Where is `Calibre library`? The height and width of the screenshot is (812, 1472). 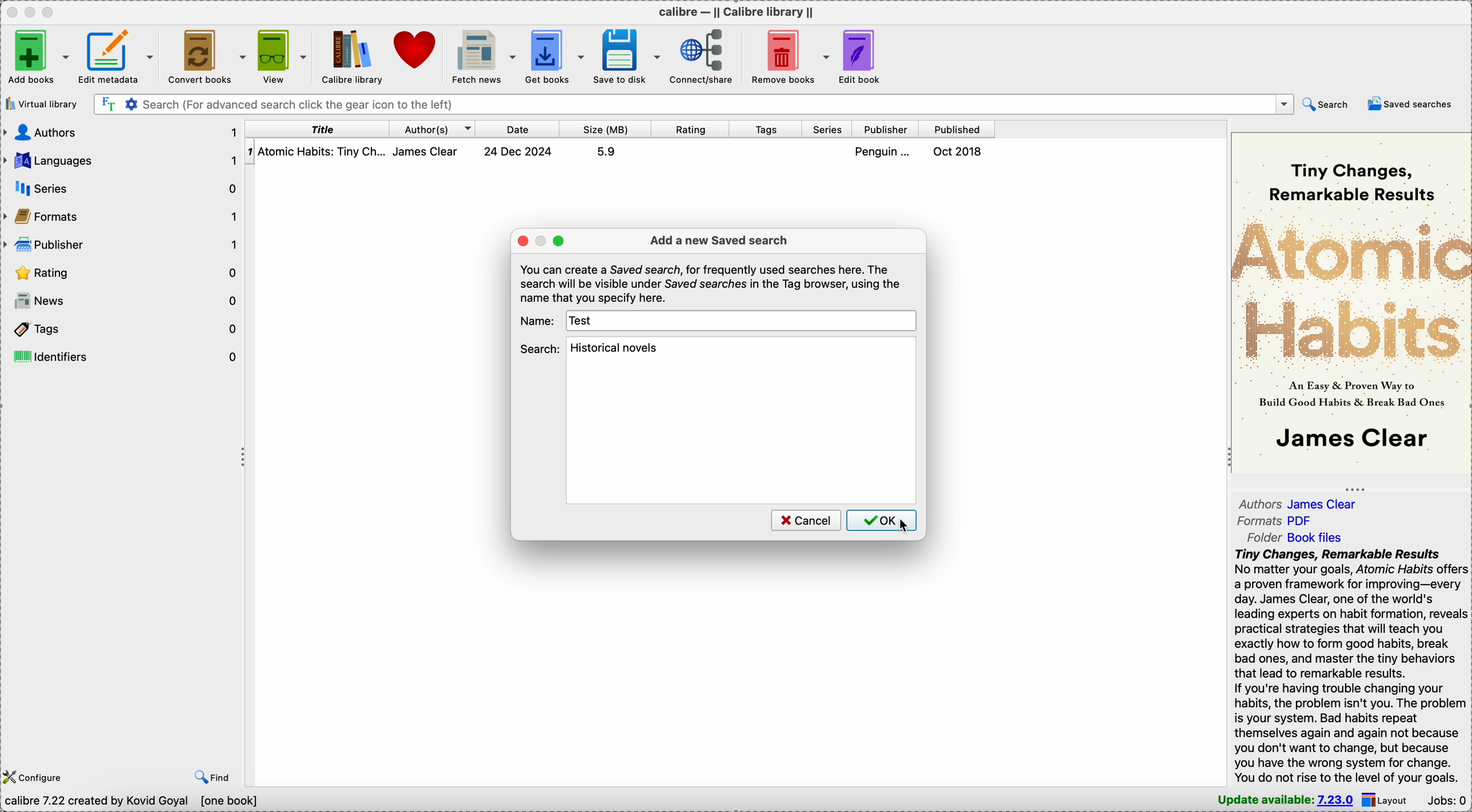 Calibre library is located at coordinates (351, 56).